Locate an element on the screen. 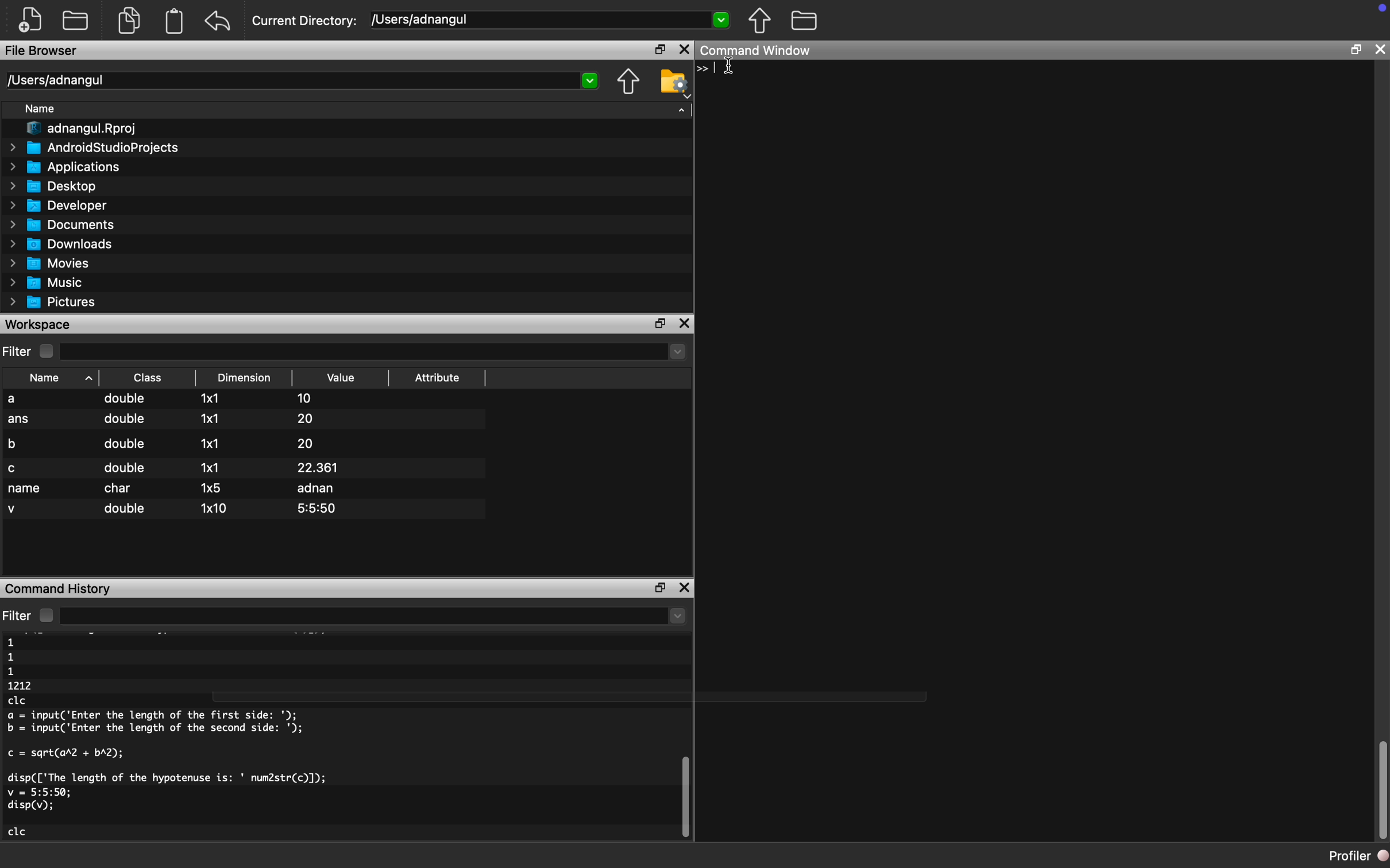  a is located at coordinates (13, 399).